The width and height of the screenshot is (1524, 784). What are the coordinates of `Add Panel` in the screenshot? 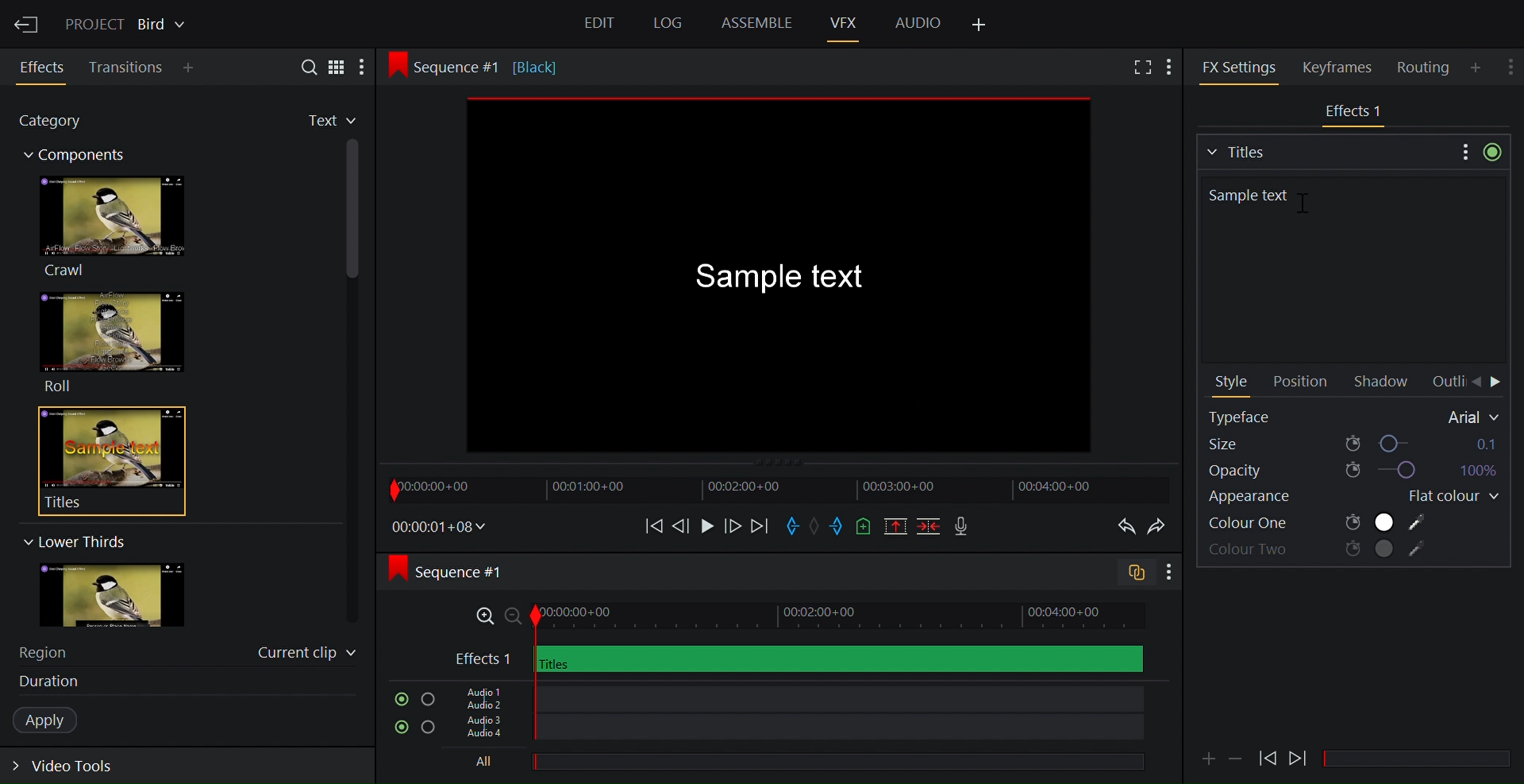 It's located at (980, 25).